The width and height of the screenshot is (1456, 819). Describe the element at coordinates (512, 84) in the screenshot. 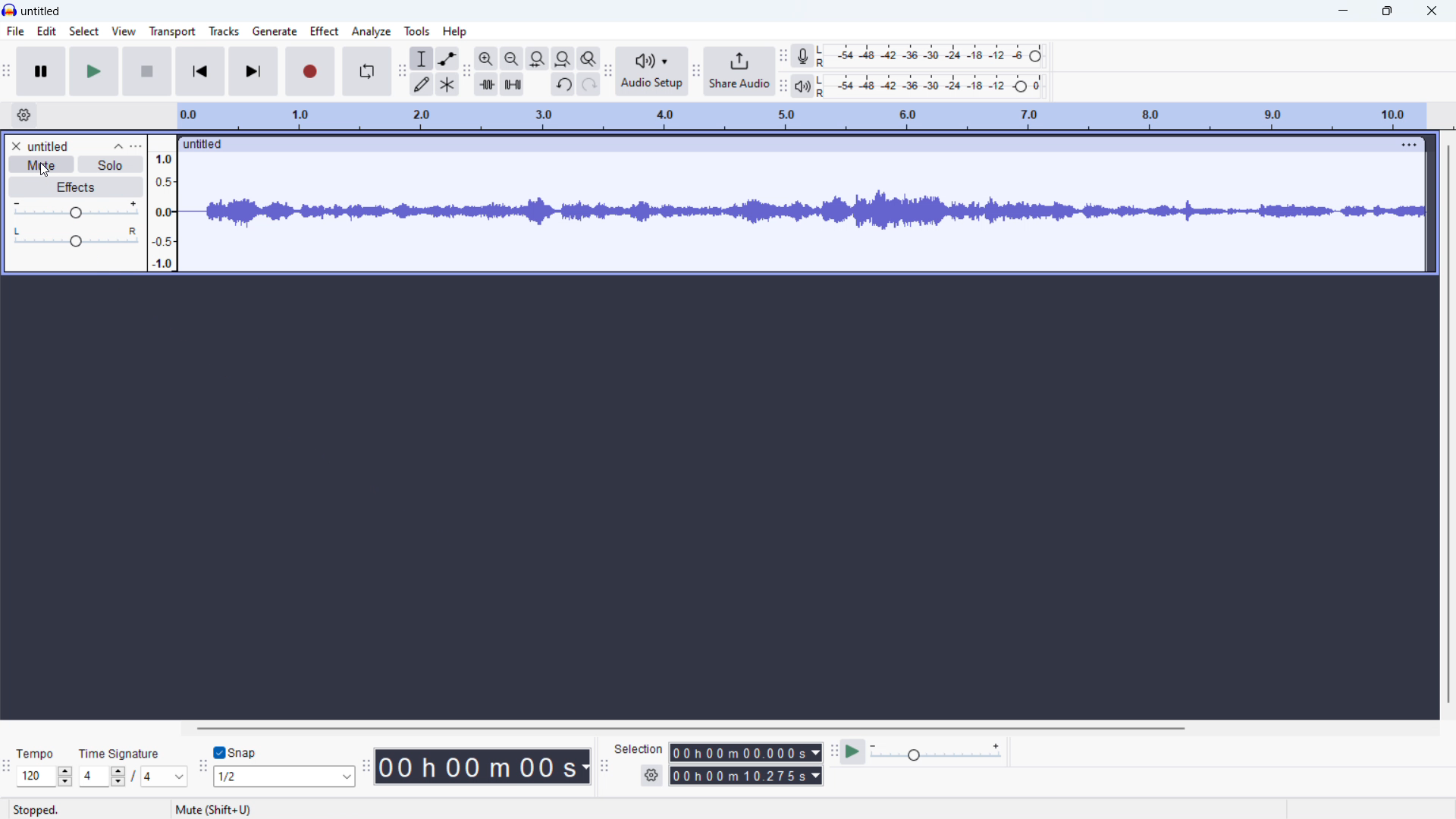

I see `silence audio selection` at that location.